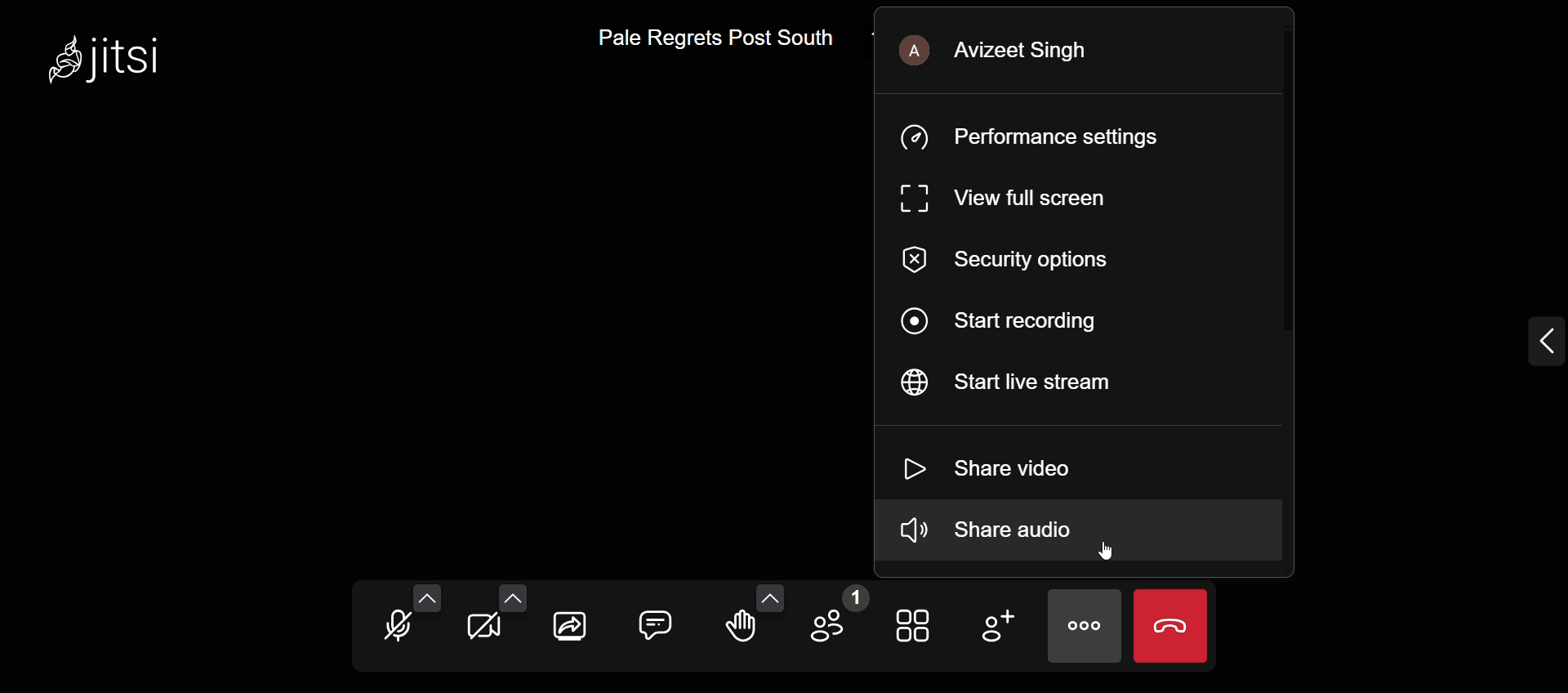  Describe the element at coordinates (996, 624) in the screenshot. I see `add participants` at that location.